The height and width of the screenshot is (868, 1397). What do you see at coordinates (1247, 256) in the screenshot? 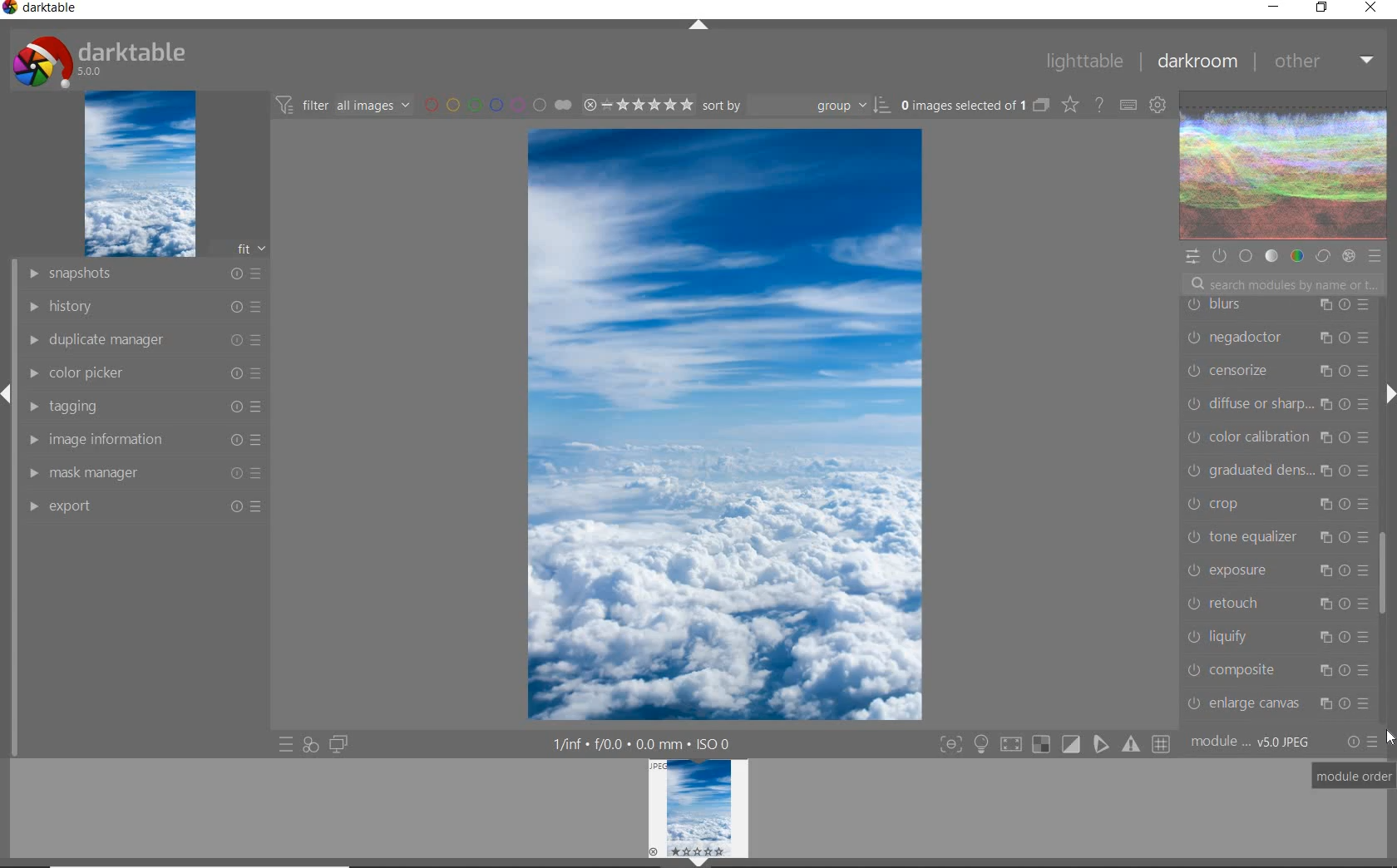
I see `BASE` at bounding box center [1247, 256].